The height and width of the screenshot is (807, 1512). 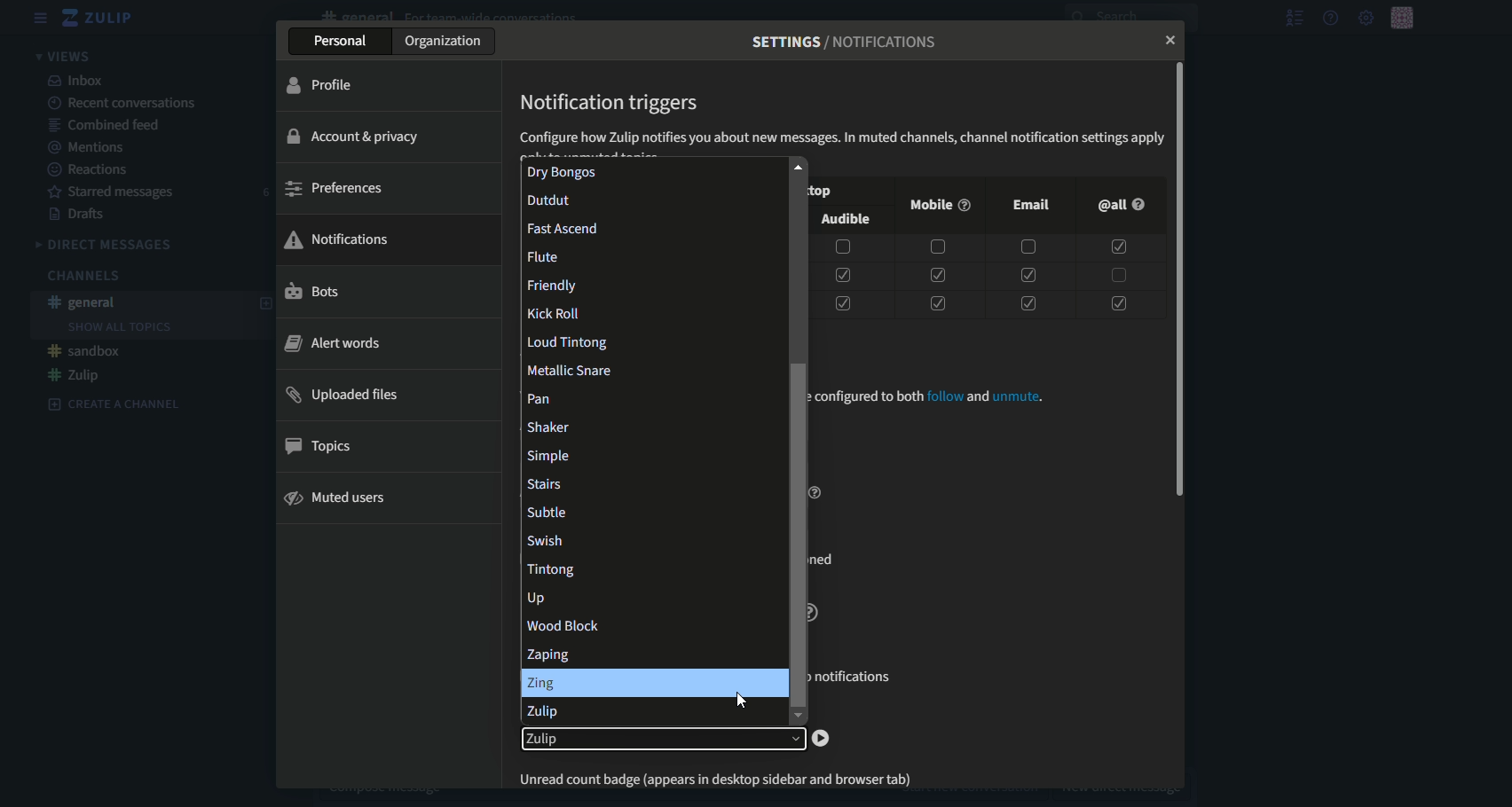 I want to click on stairs, so click(x=650, y=483).